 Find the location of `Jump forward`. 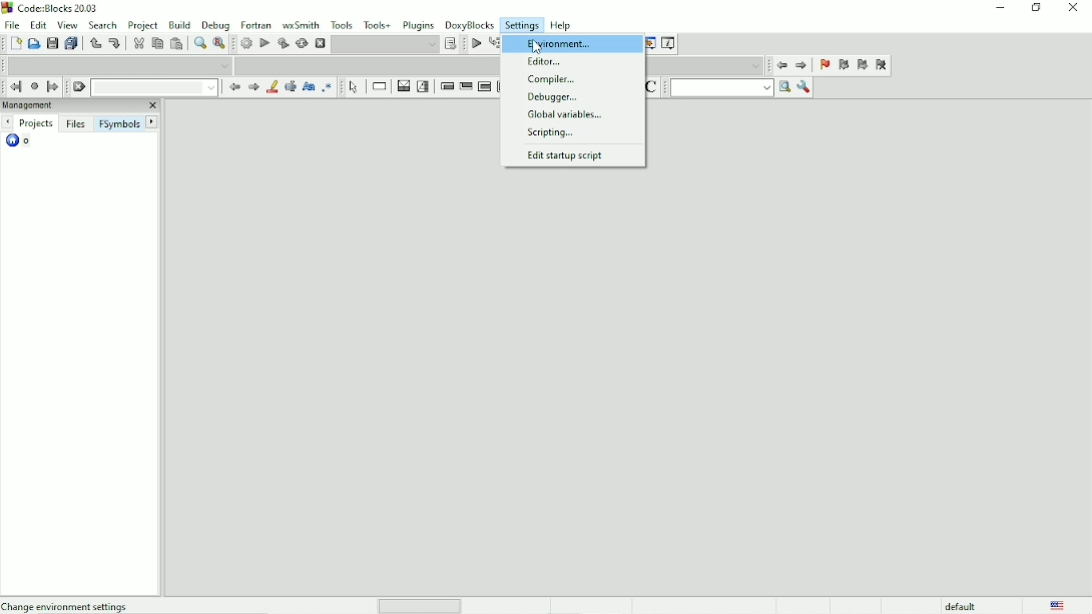

Jump forward is located at coordinates (801, 65).